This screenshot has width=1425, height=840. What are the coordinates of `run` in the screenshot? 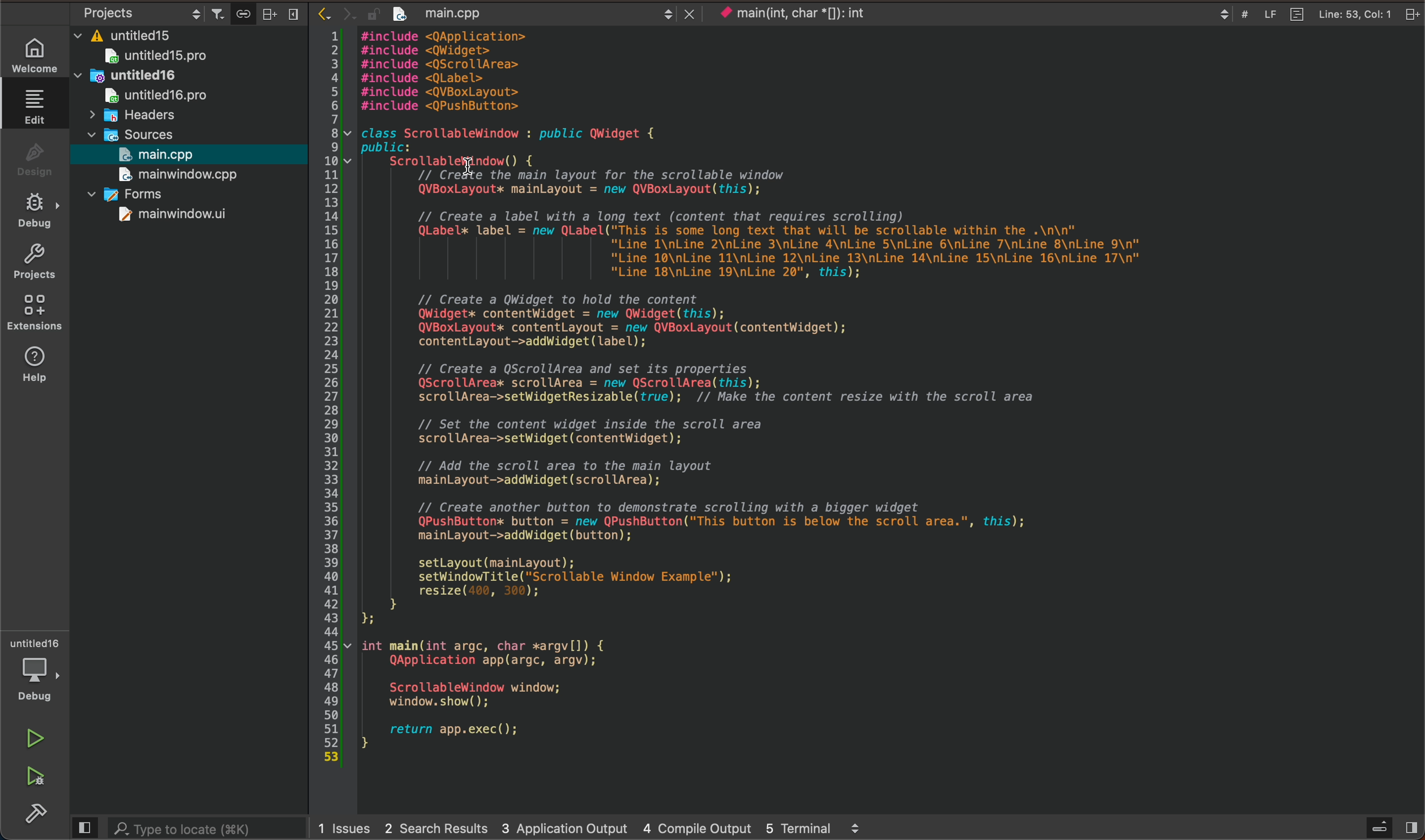 It's located at (30, 740).